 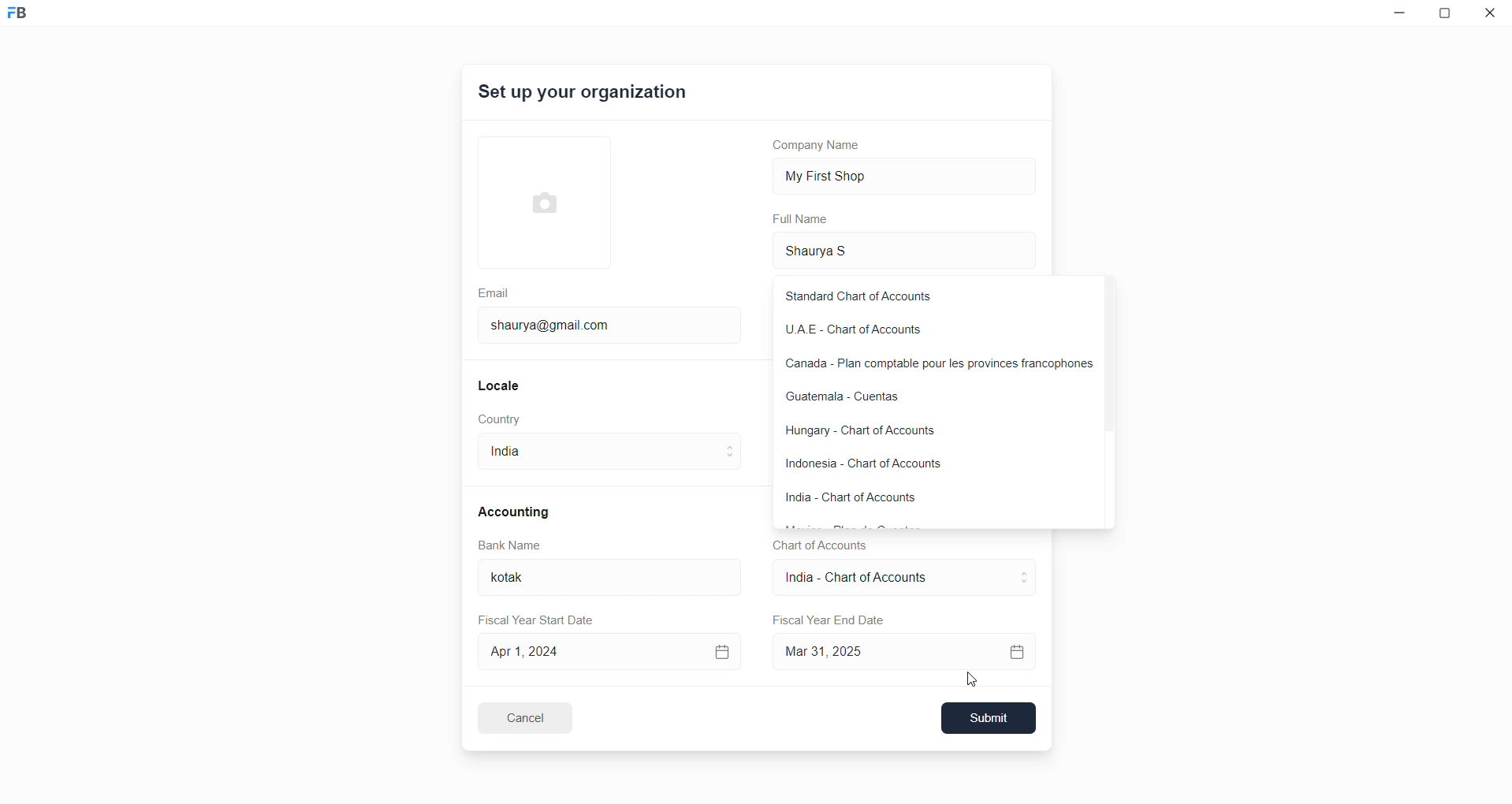 What do you see at coordinates (542, 617) in the screenshot?
I see `Fiscal Year Start Date` at bounding box center [542, 617].